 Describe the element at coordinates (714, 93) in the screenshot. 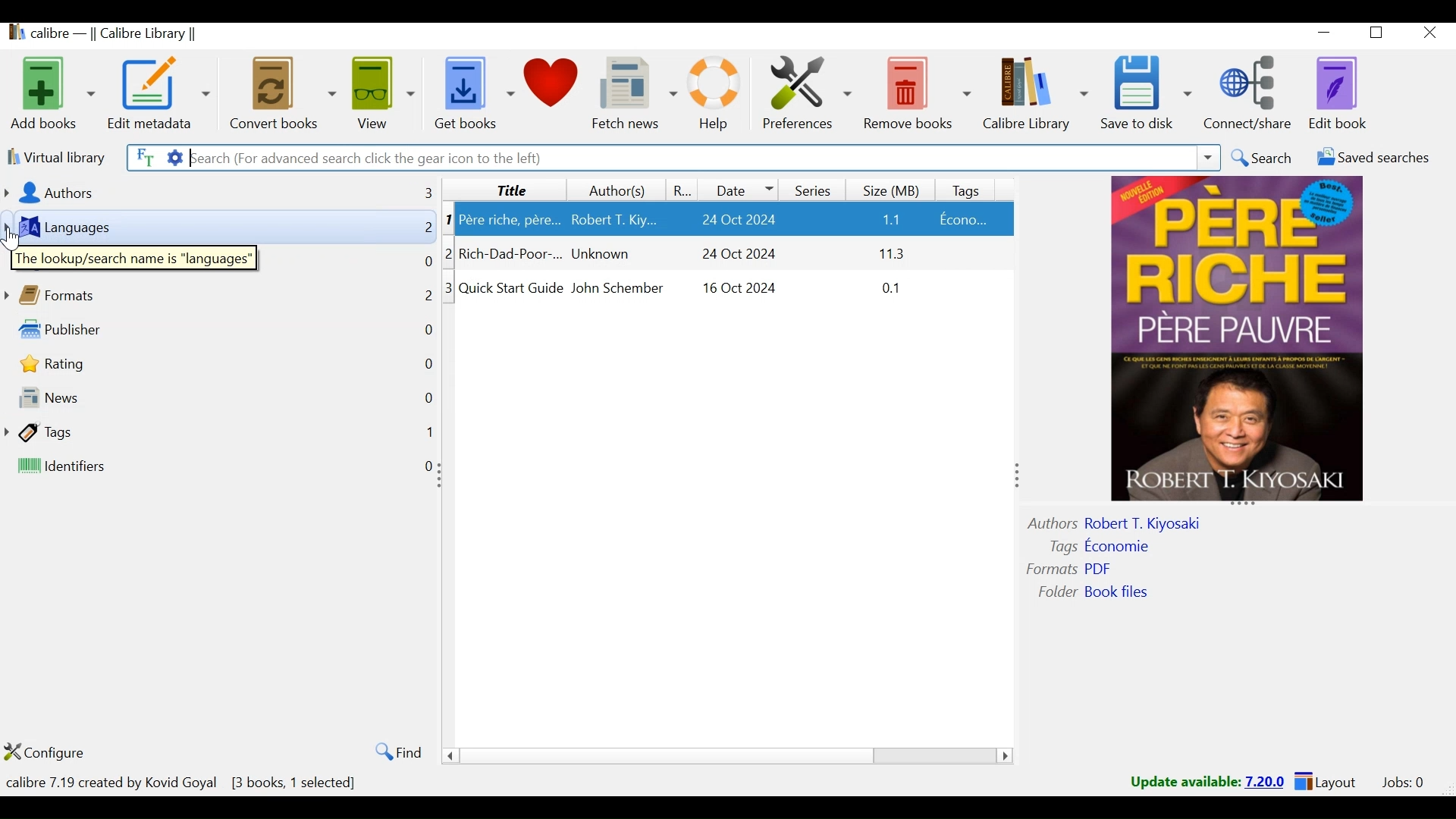

I see `Help` at that location.